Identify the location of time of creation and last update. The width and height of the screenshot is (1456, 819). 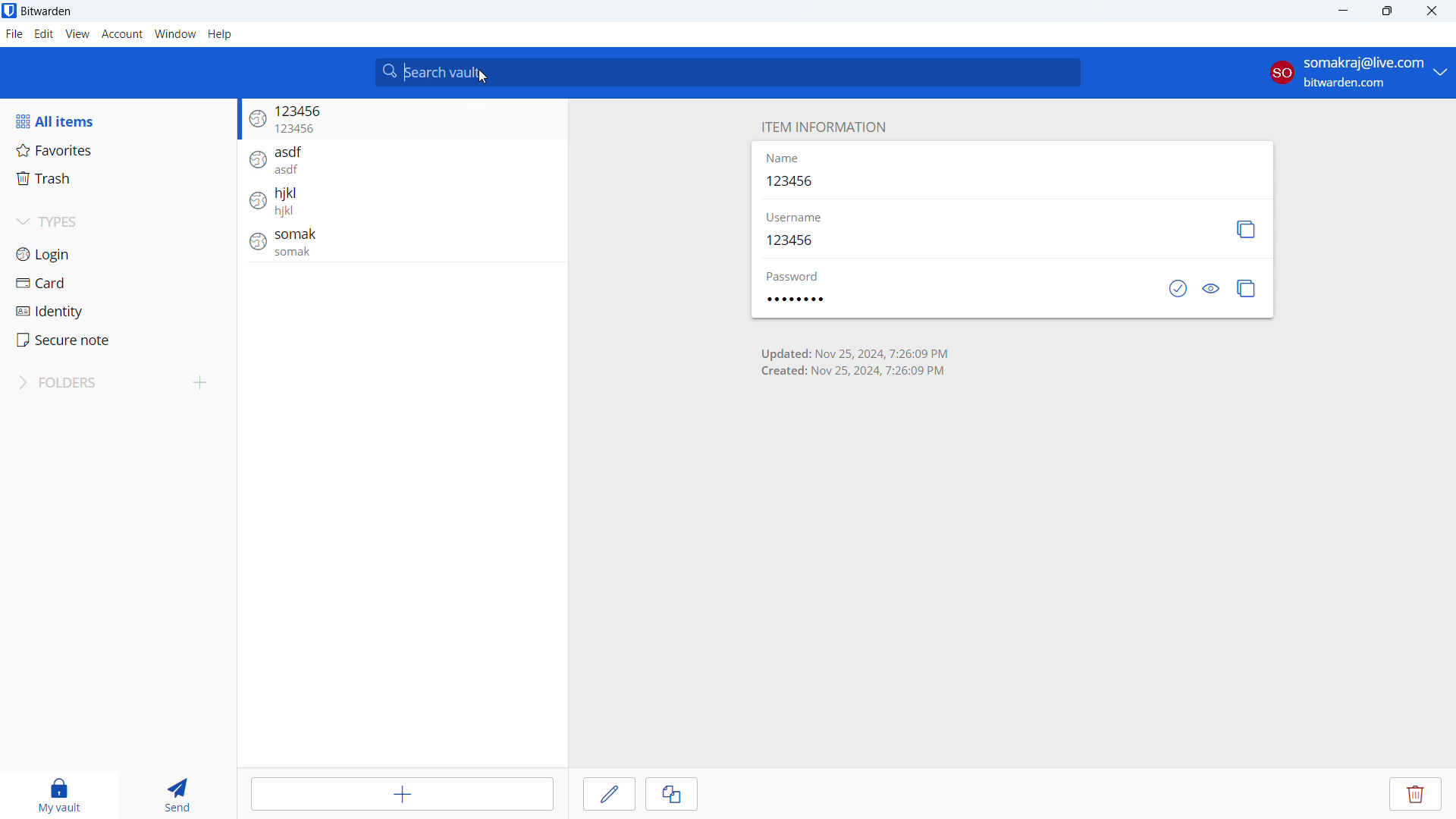
(855, 360).